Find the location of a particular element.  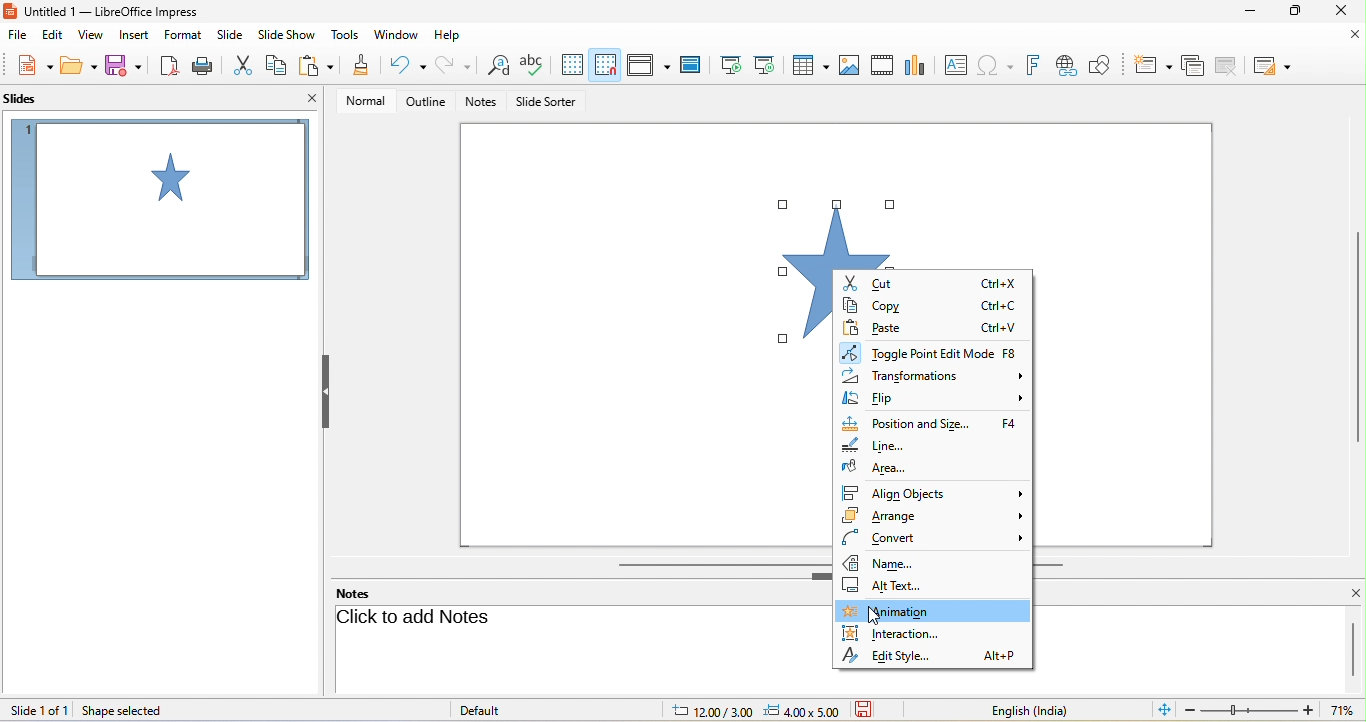

shape selected is located at coordinates (126, 711).